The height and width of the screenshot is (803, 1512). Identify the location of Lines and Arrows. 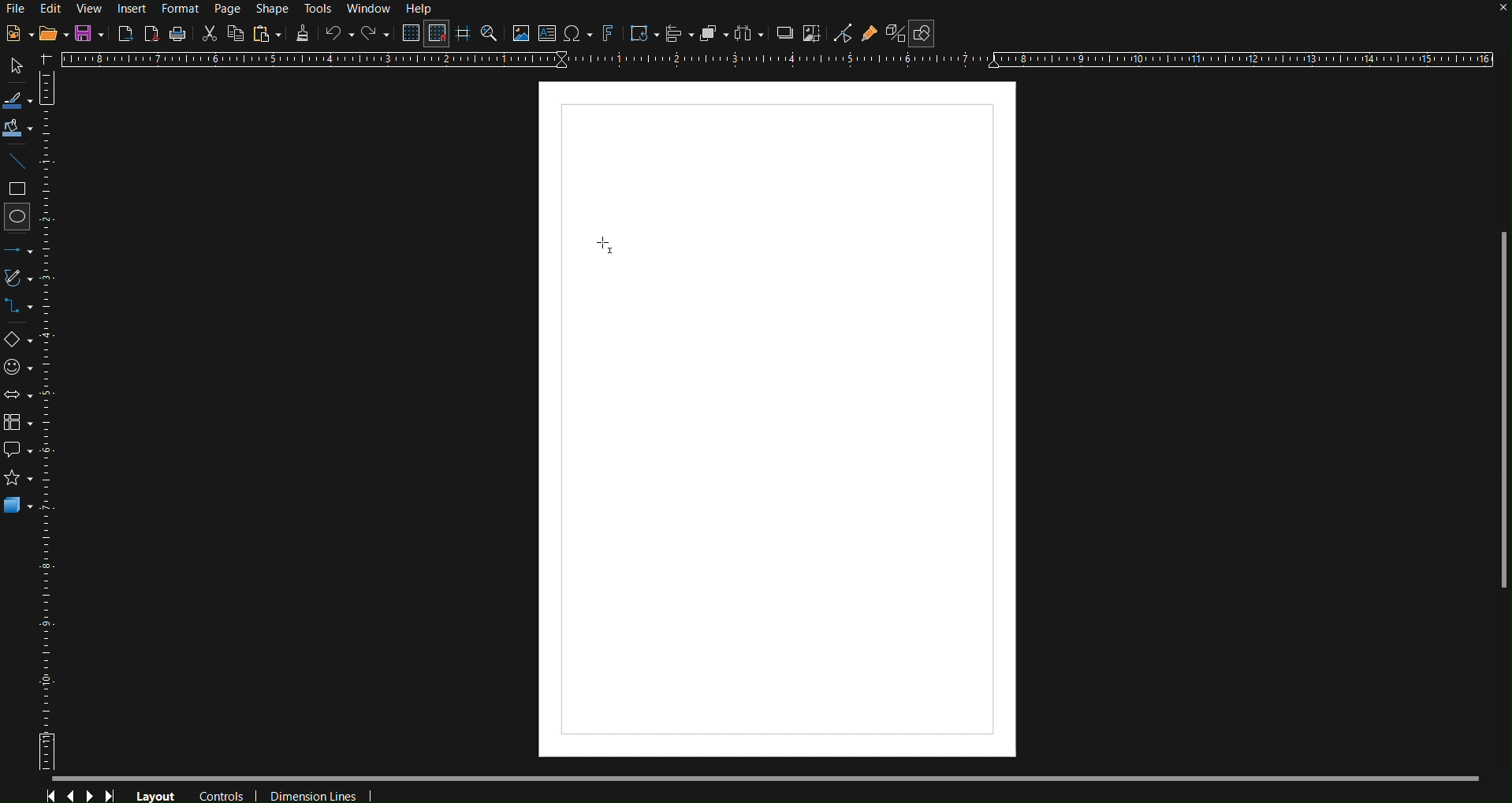
(23, 249).